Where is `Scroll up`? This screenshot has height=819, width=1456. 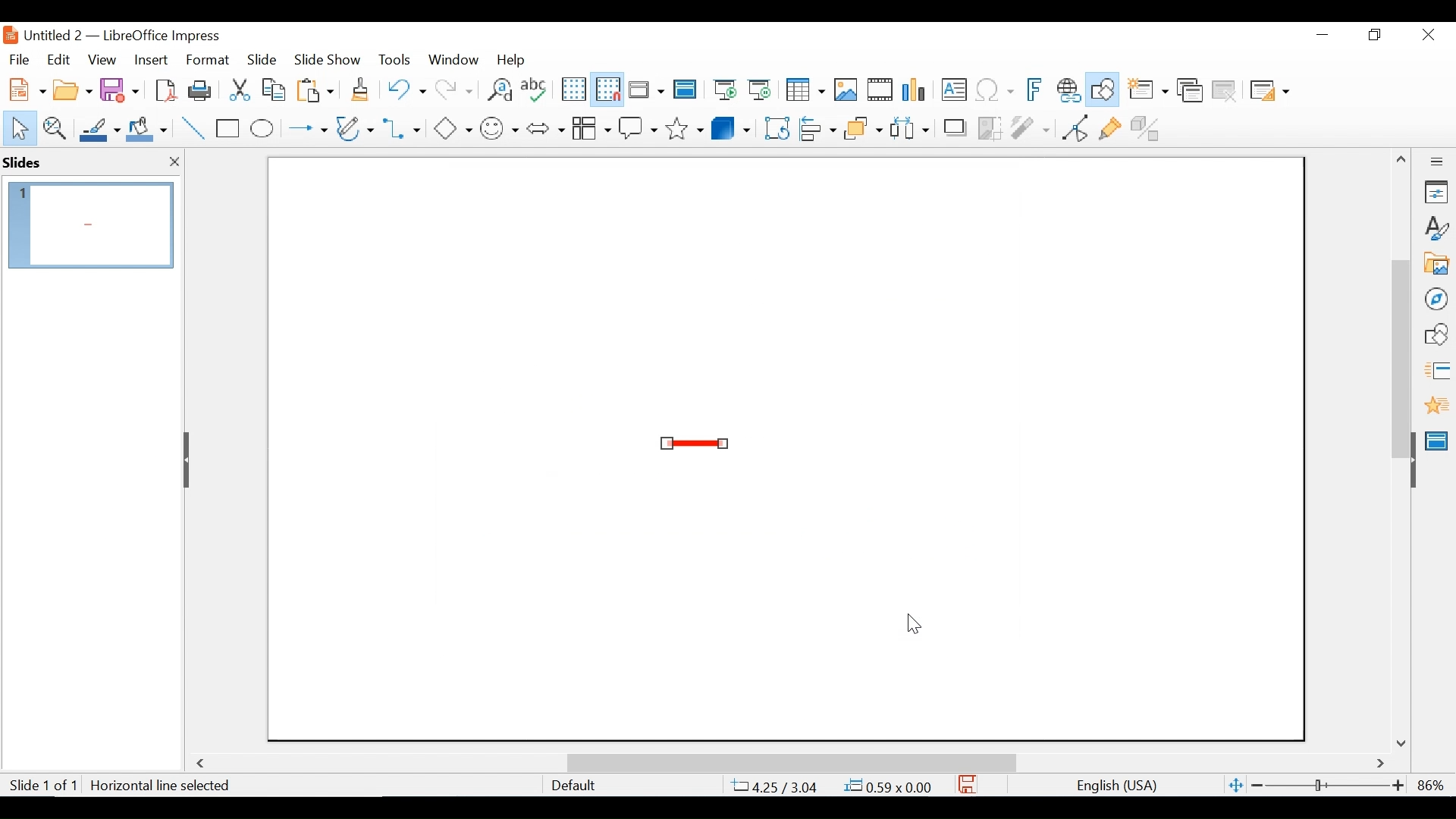
Scroll up is located at coordinates (1402, 159).